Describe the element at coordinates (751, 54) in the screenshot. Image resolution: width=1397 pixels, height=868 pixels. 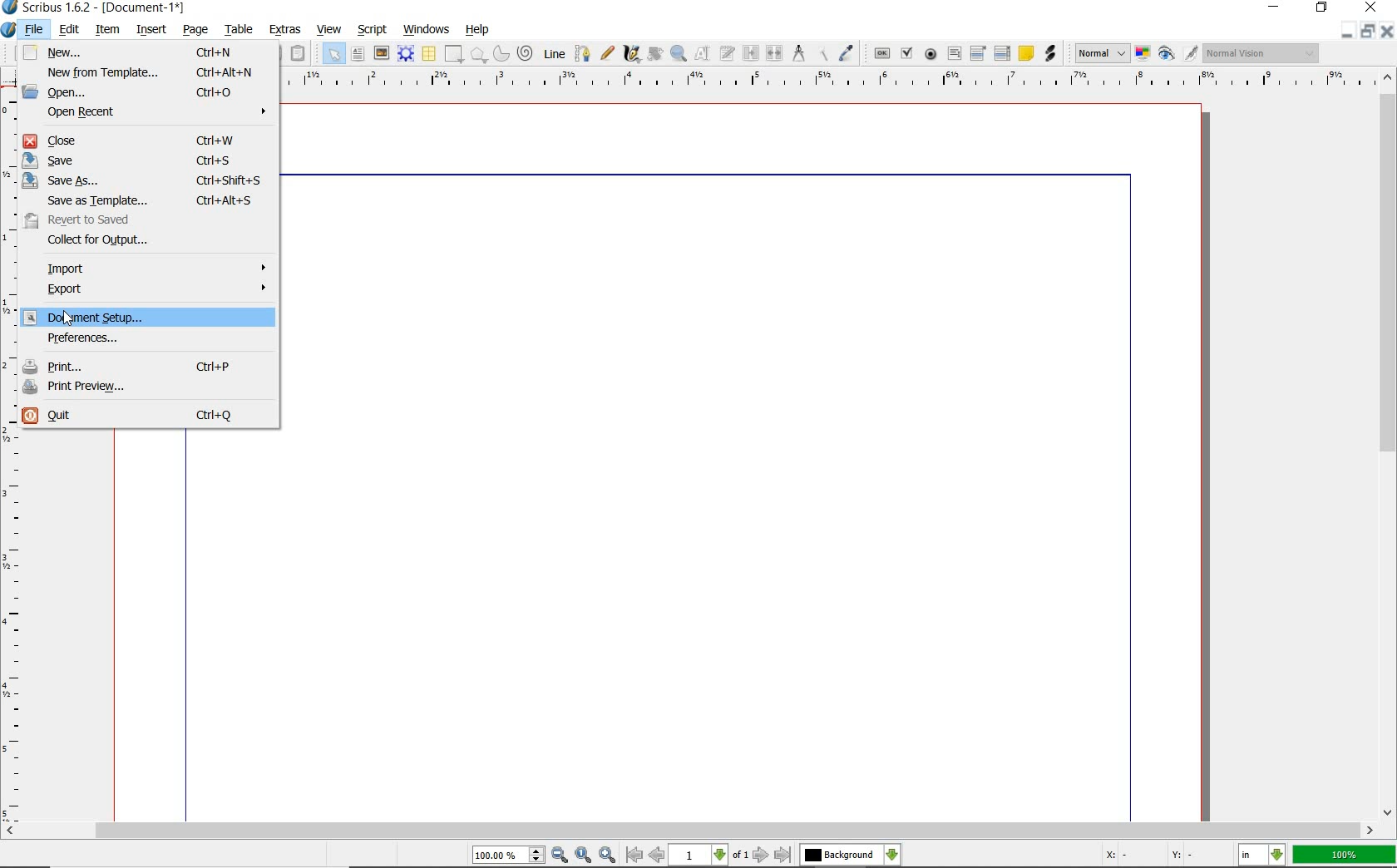
I see `link text frames` at that location.